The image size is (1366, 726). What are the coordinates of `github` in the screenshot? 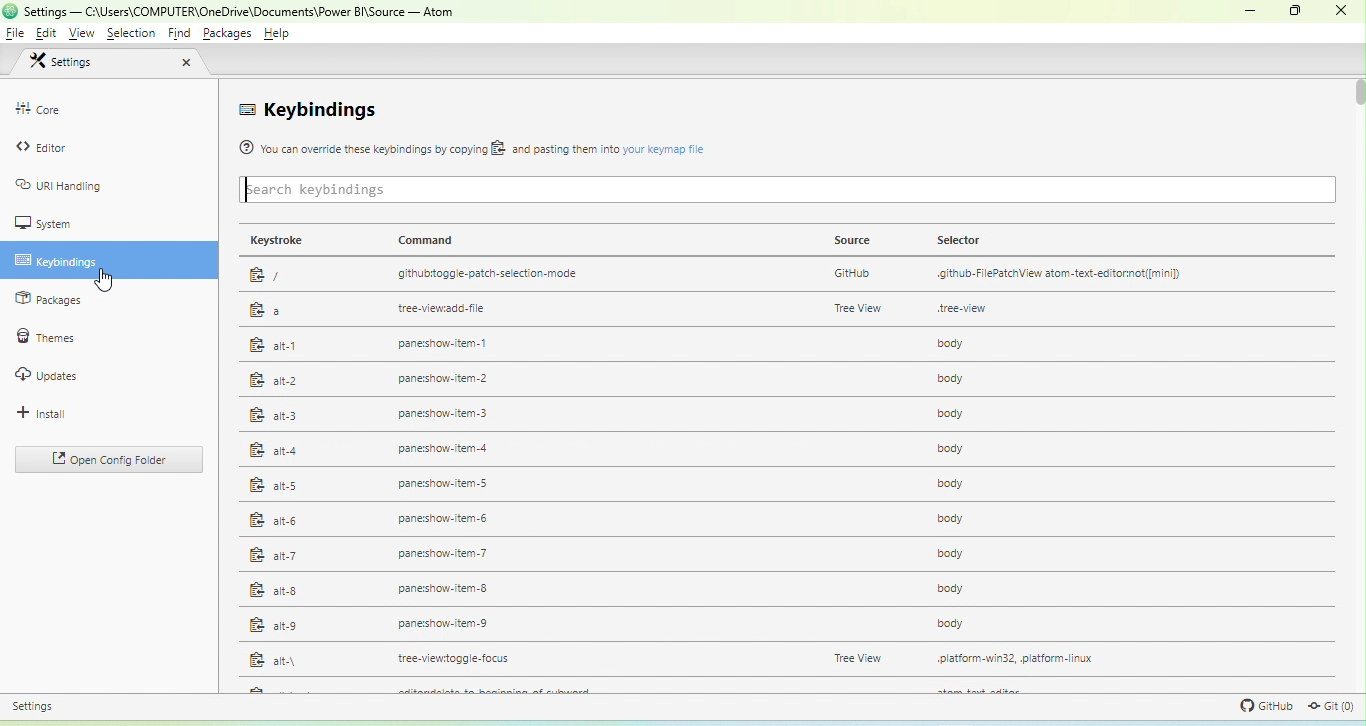 It's located at (1261, 706).